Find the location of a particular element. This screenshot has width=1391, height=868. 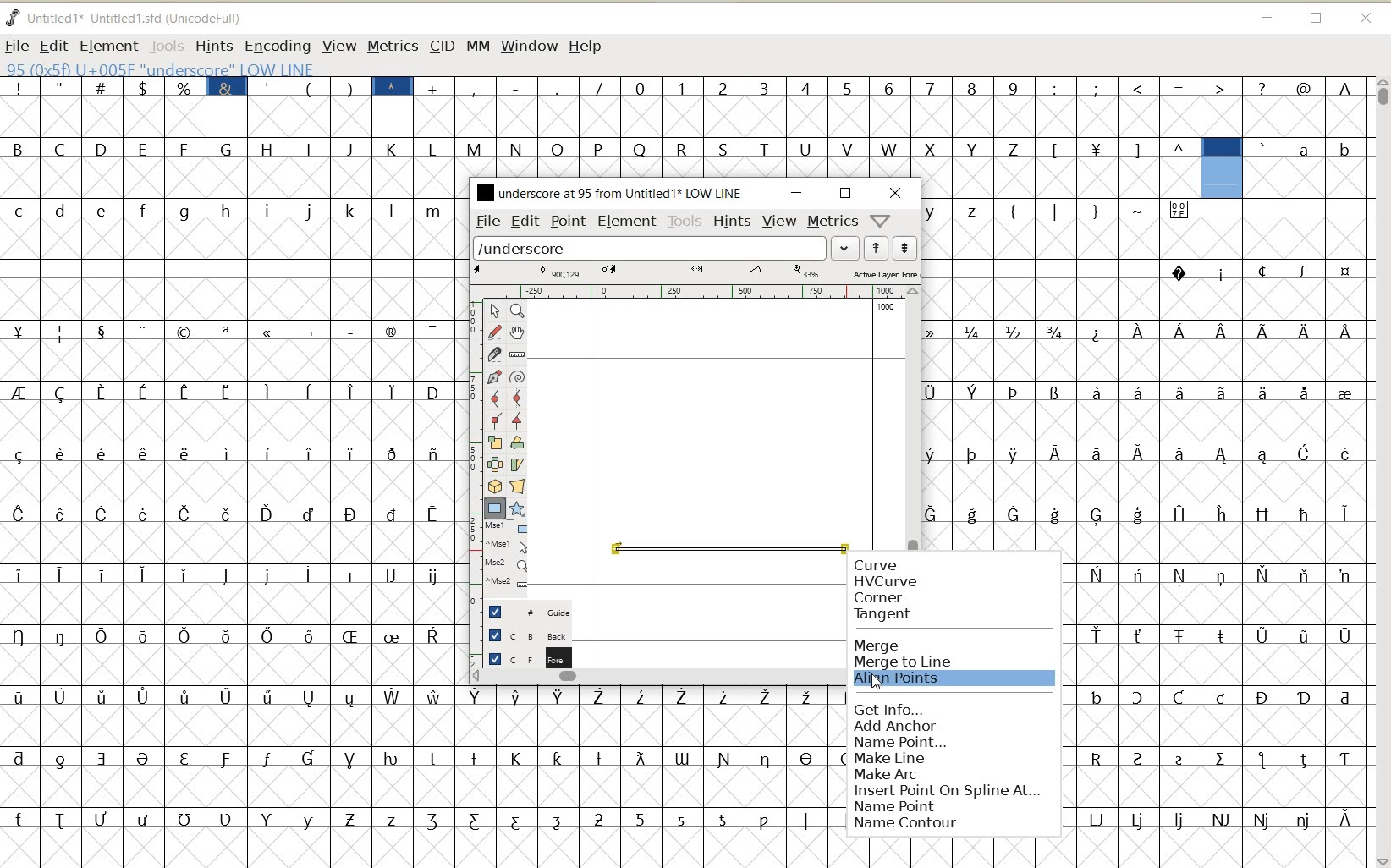

flip the selection is located at coordinates (494, 464).